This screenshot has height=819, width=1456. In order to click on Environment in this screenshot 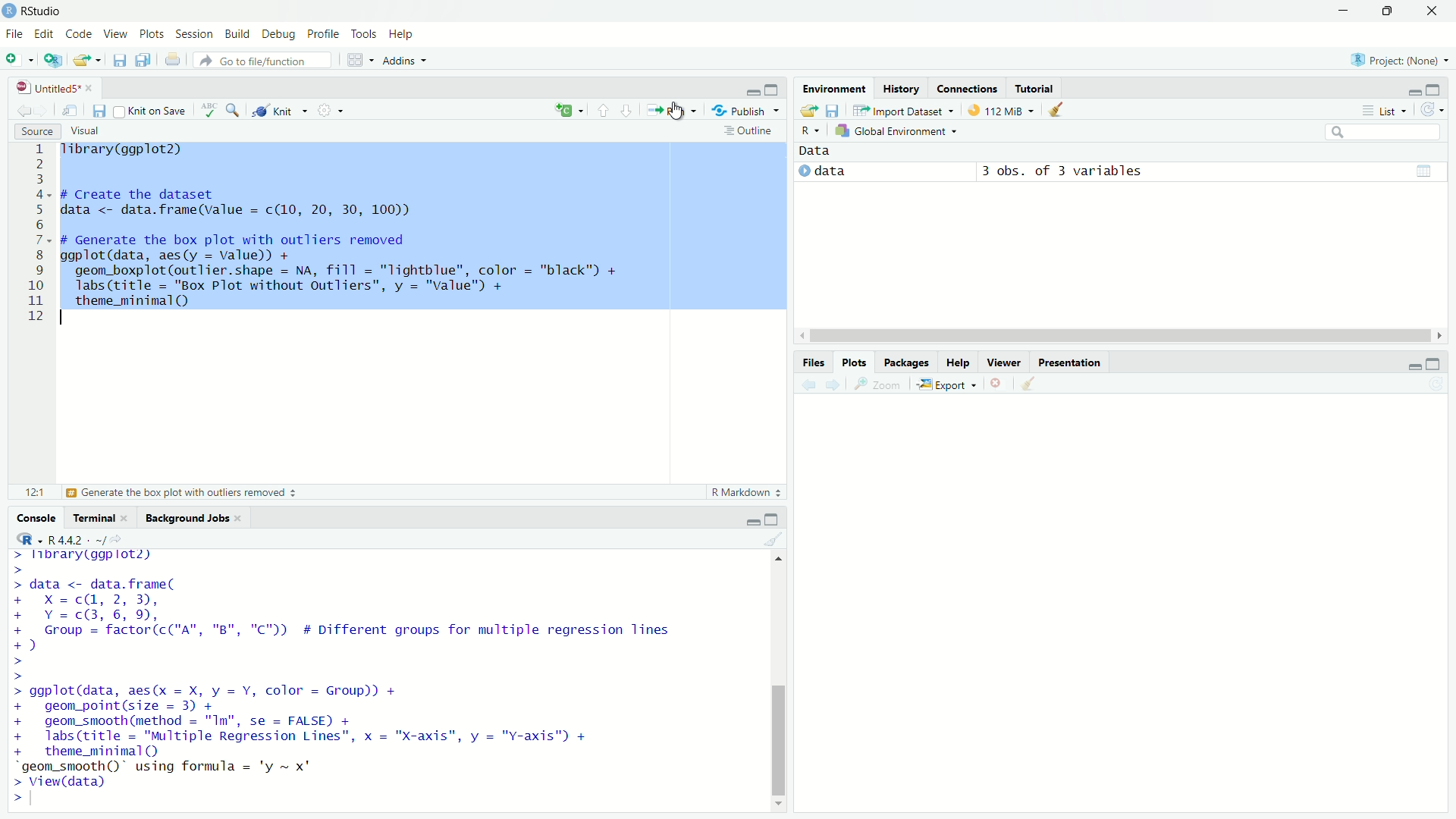, I will do `click(832, 88)`.